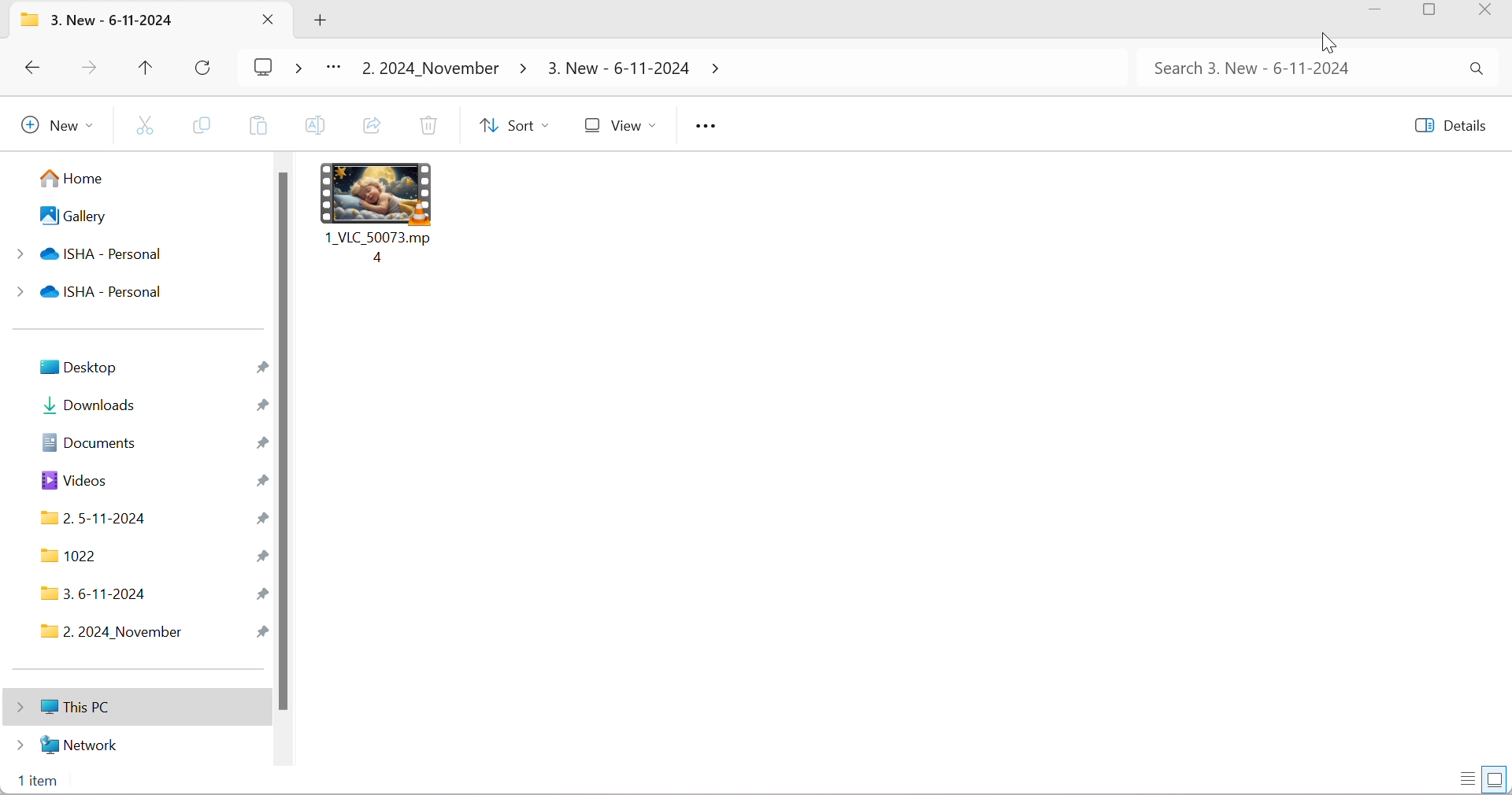 Image resolution: width=1512 pixels, height=795 pixels. What do you see at coordinates (260, 482) in the screenshot?
I see `Pin` at bounding box center [260, 482].